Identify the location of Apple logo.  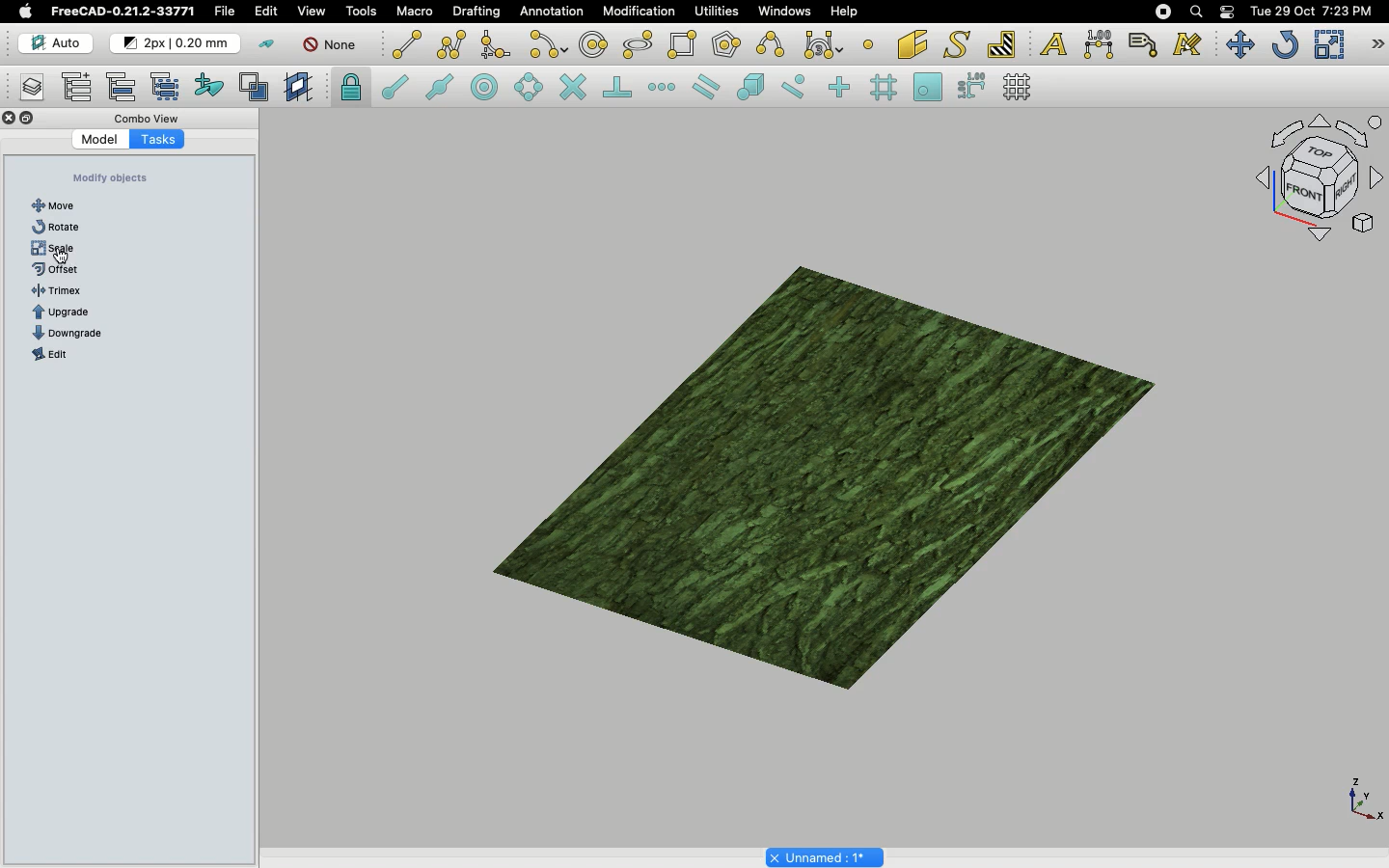
(25, 11).